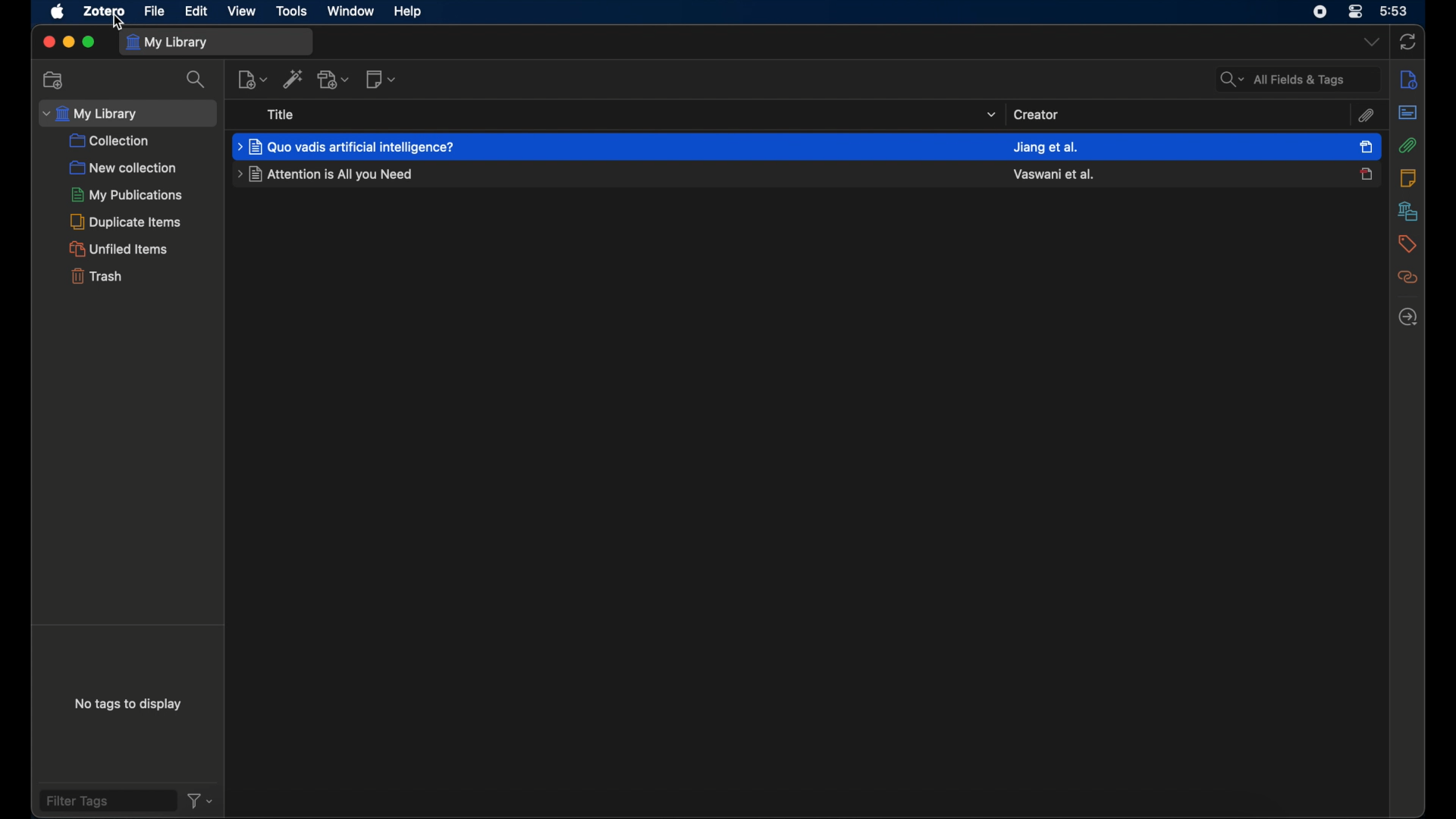 The width and height of the screenshot is (1456, 819). Describe the element at coordinates (1053, 174) in the screenshot. I see `created name` at that location.